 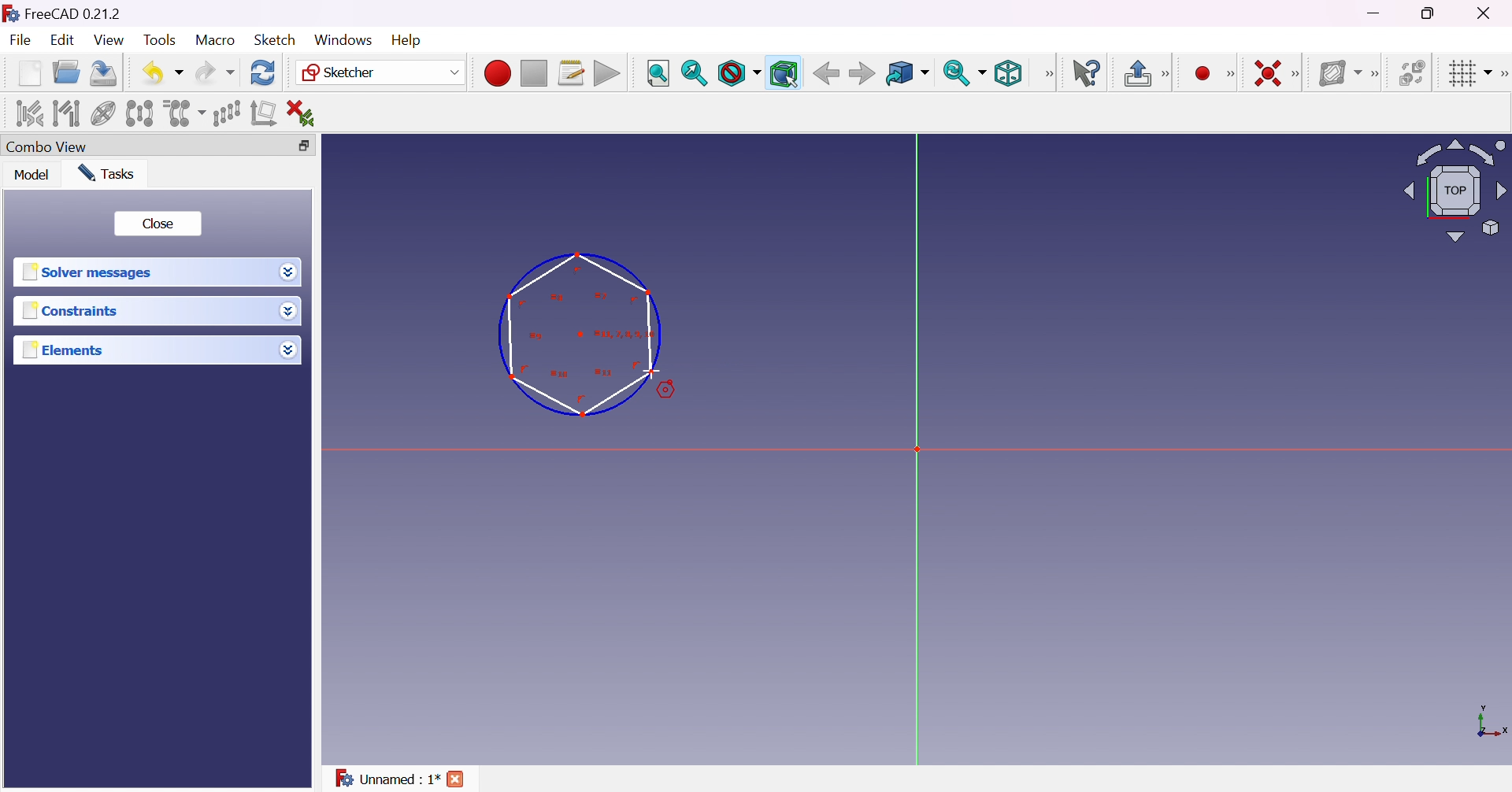 I want to click on Isometric, so click(x=1008, y=72).